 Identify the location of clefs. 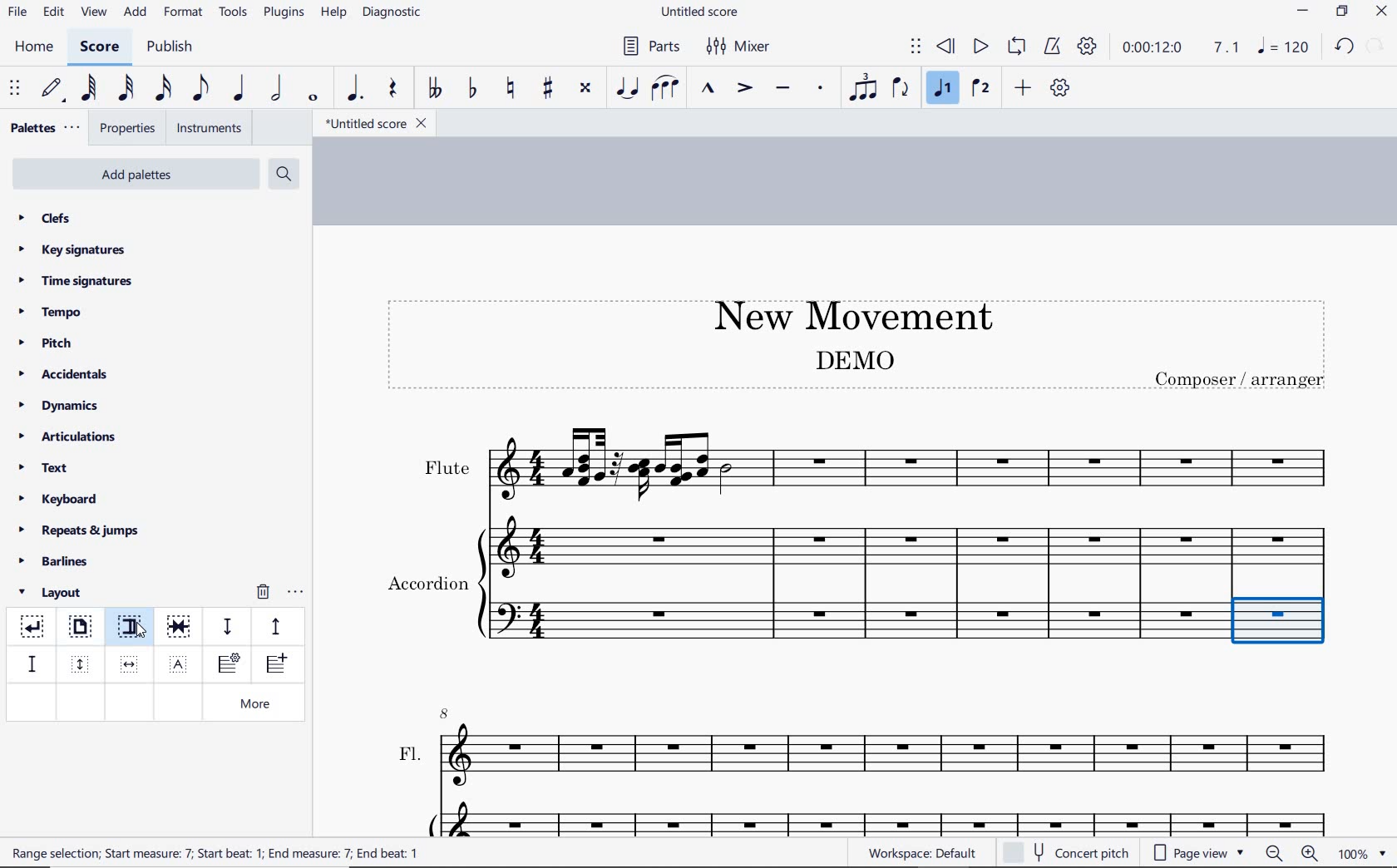
(46, 218).